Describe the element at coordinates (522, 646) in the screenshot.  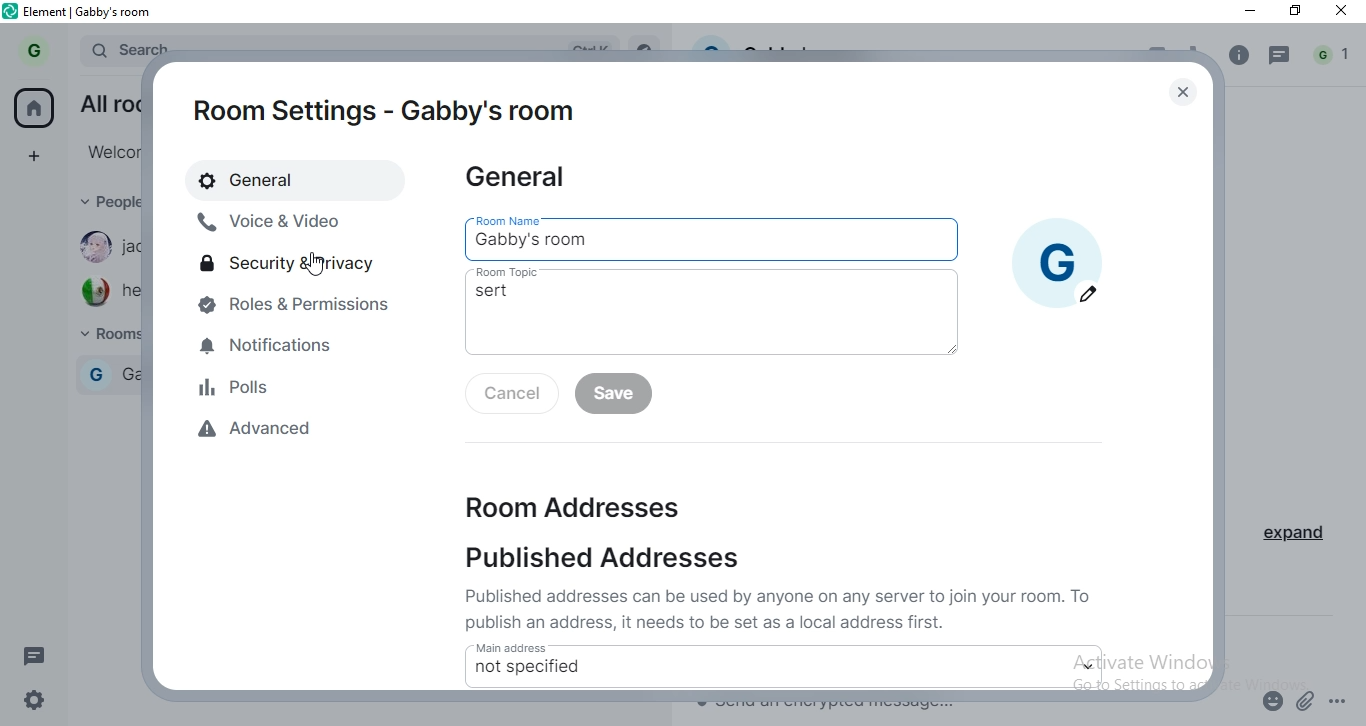
I see `main address` at that location.